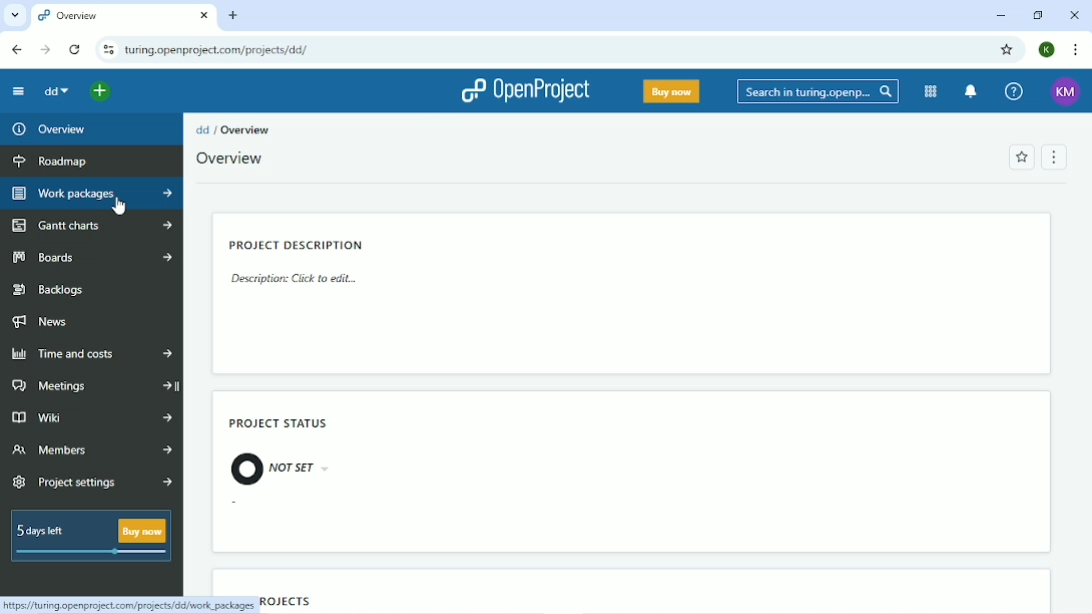  What do you see at coordinates (14, 49) in the screenshot?
I see `backward` at bounding box center [14, 49].